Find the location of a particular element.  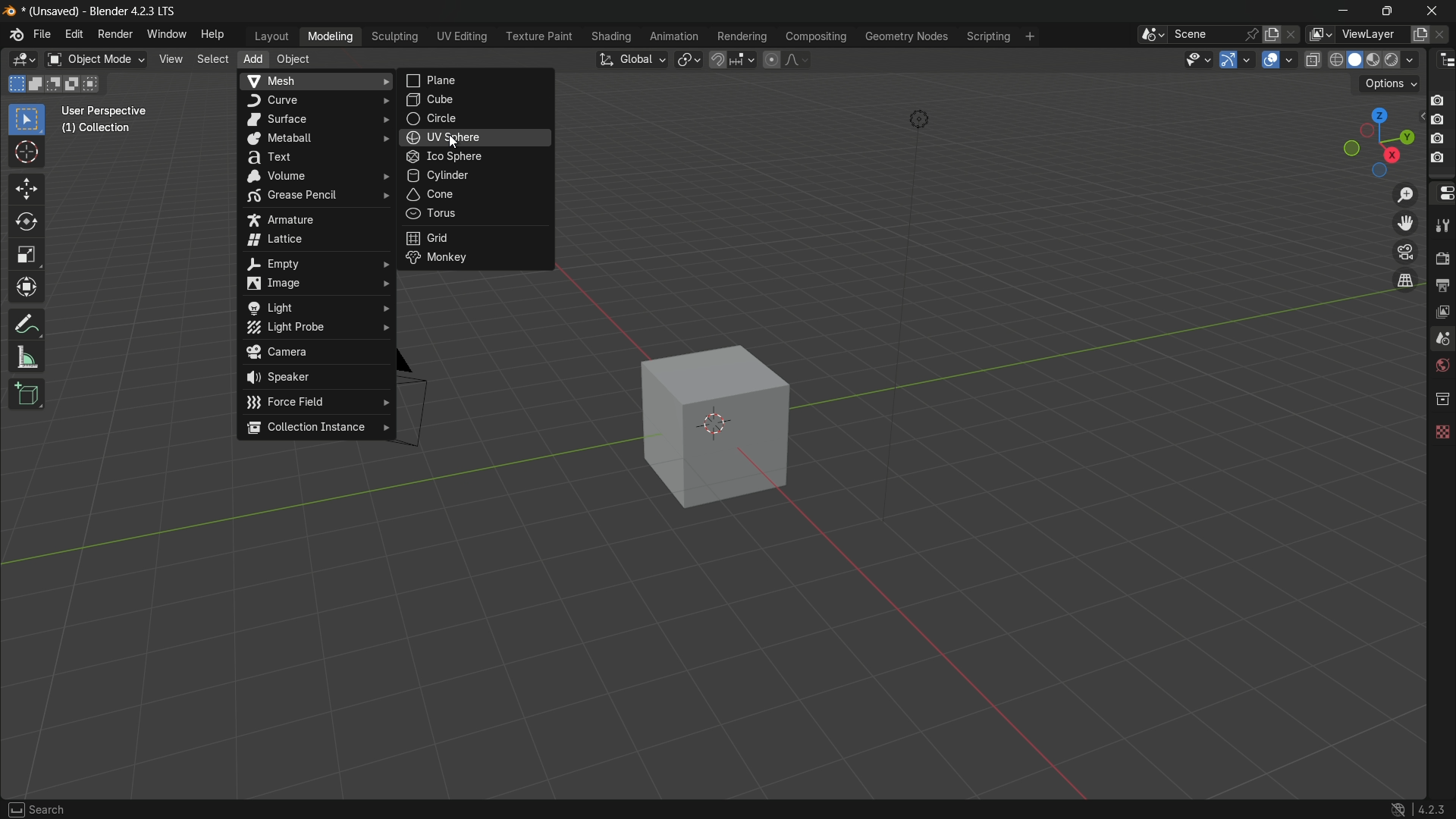

measure is located at coordinates (28, 359).